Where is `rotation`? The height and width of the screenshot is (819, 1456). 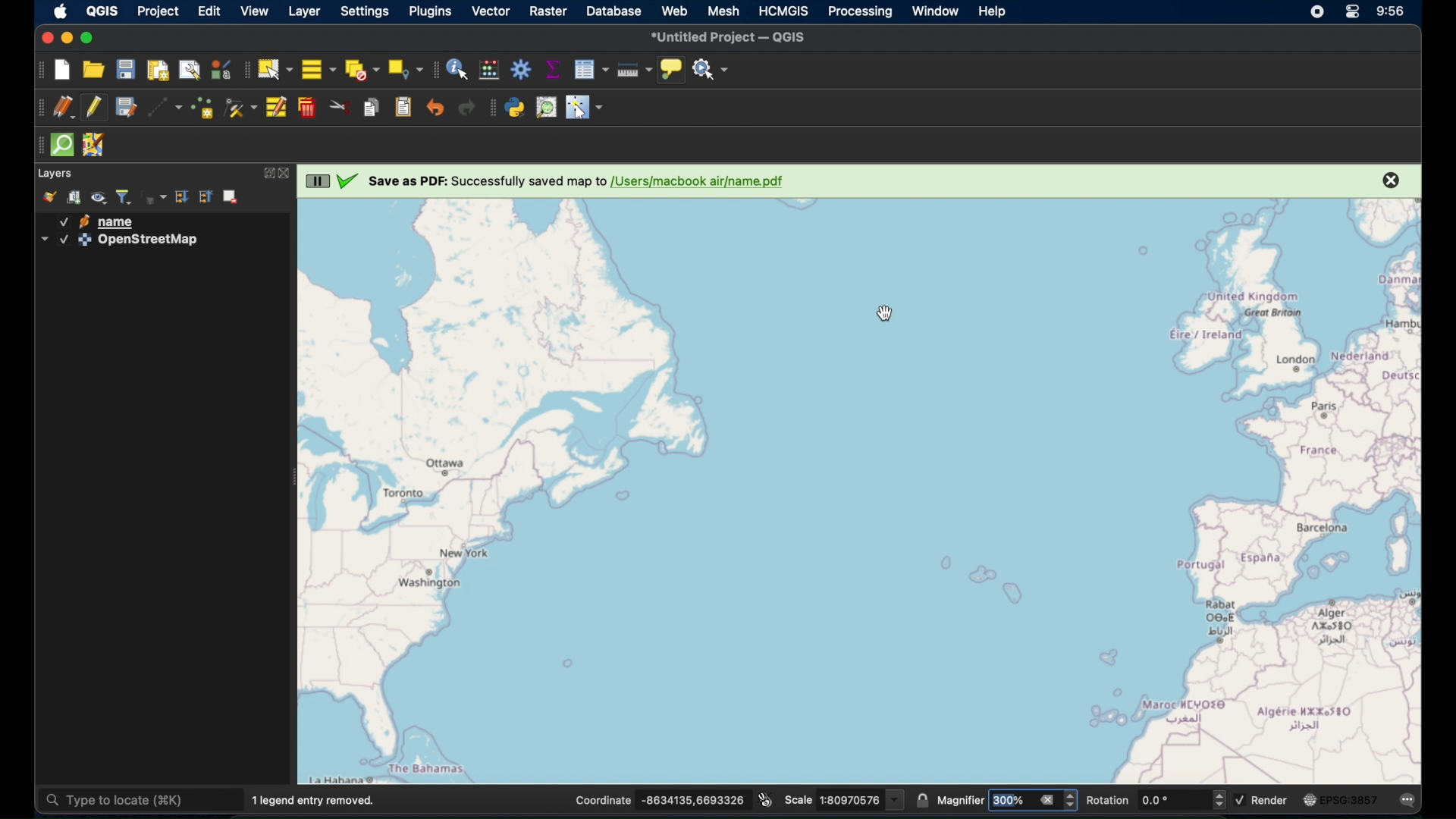 rotation is located at coordinates (1154, 800).